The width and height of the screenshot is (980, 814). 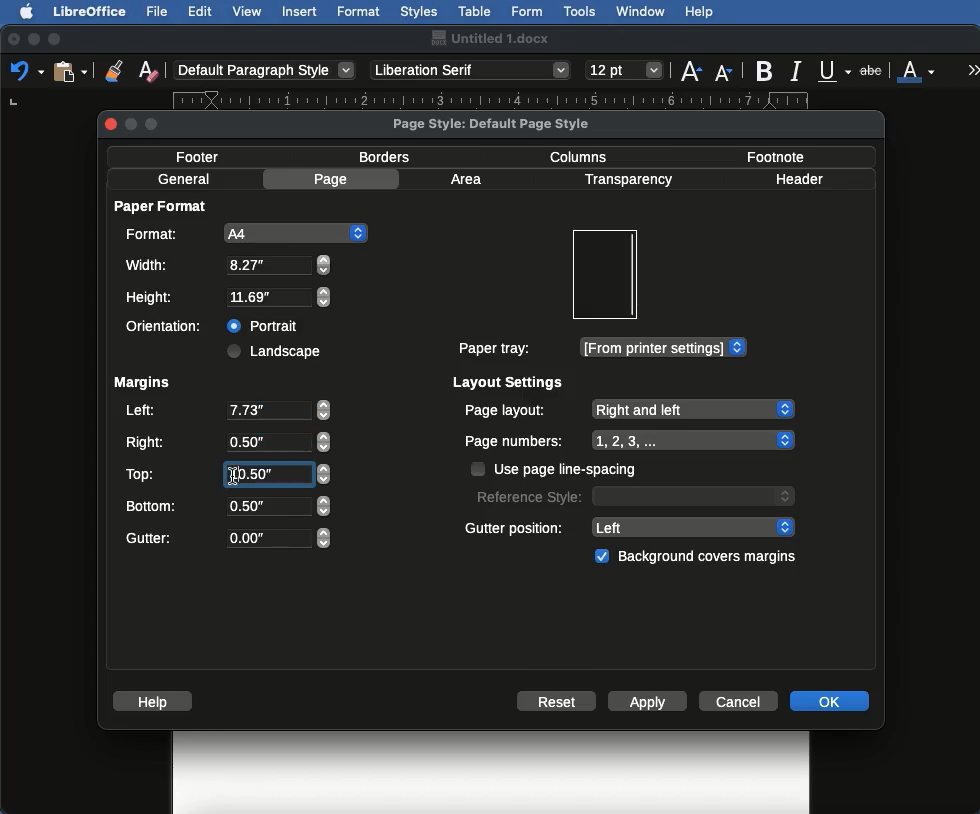 What do you see at coordinates (227, 265) in the screenshot?
I see `Width` at bounding box center [227, 265].